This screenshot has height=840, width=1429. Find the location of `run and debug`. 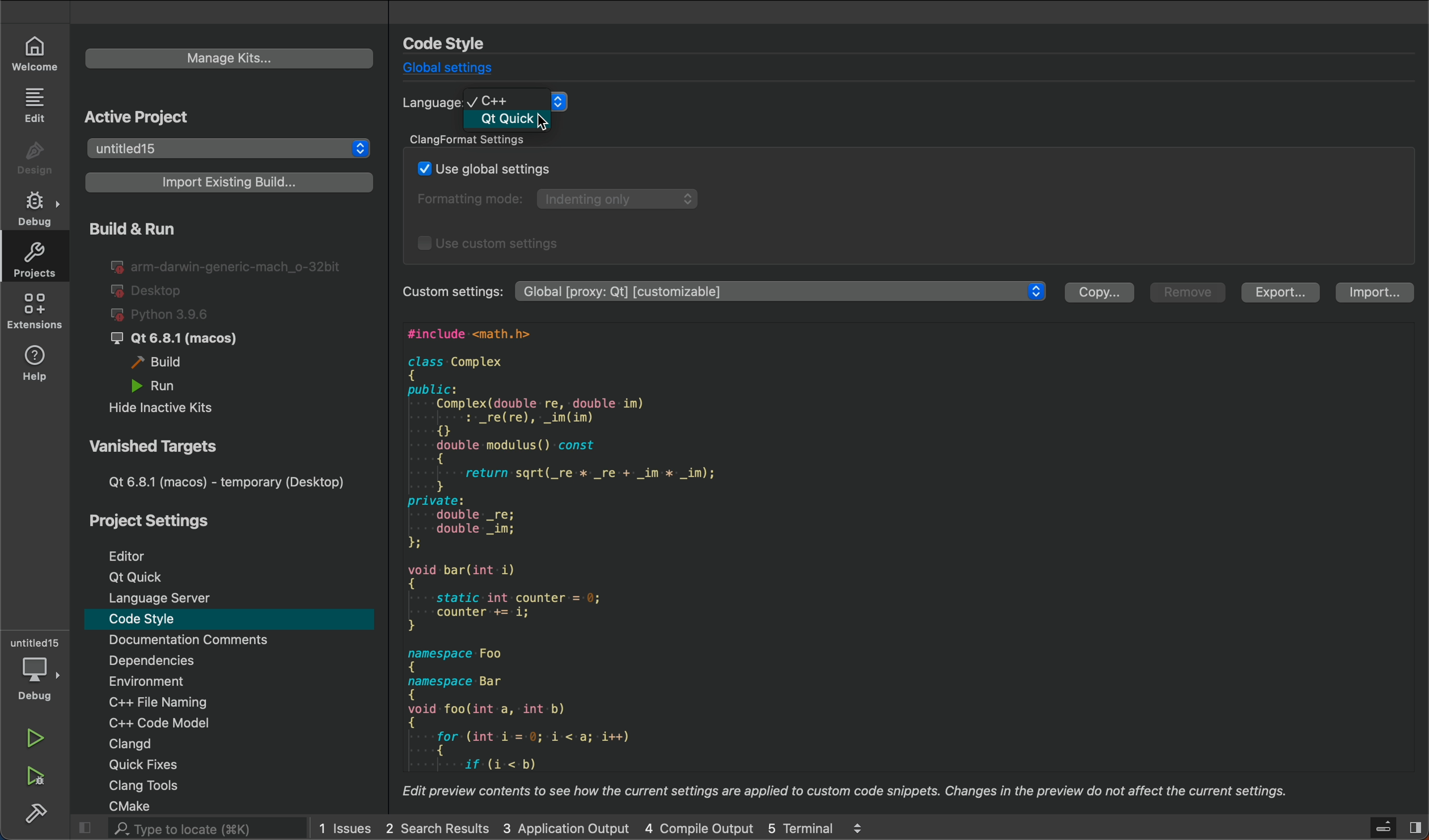

run and debug is located at coordinates (39, 778).